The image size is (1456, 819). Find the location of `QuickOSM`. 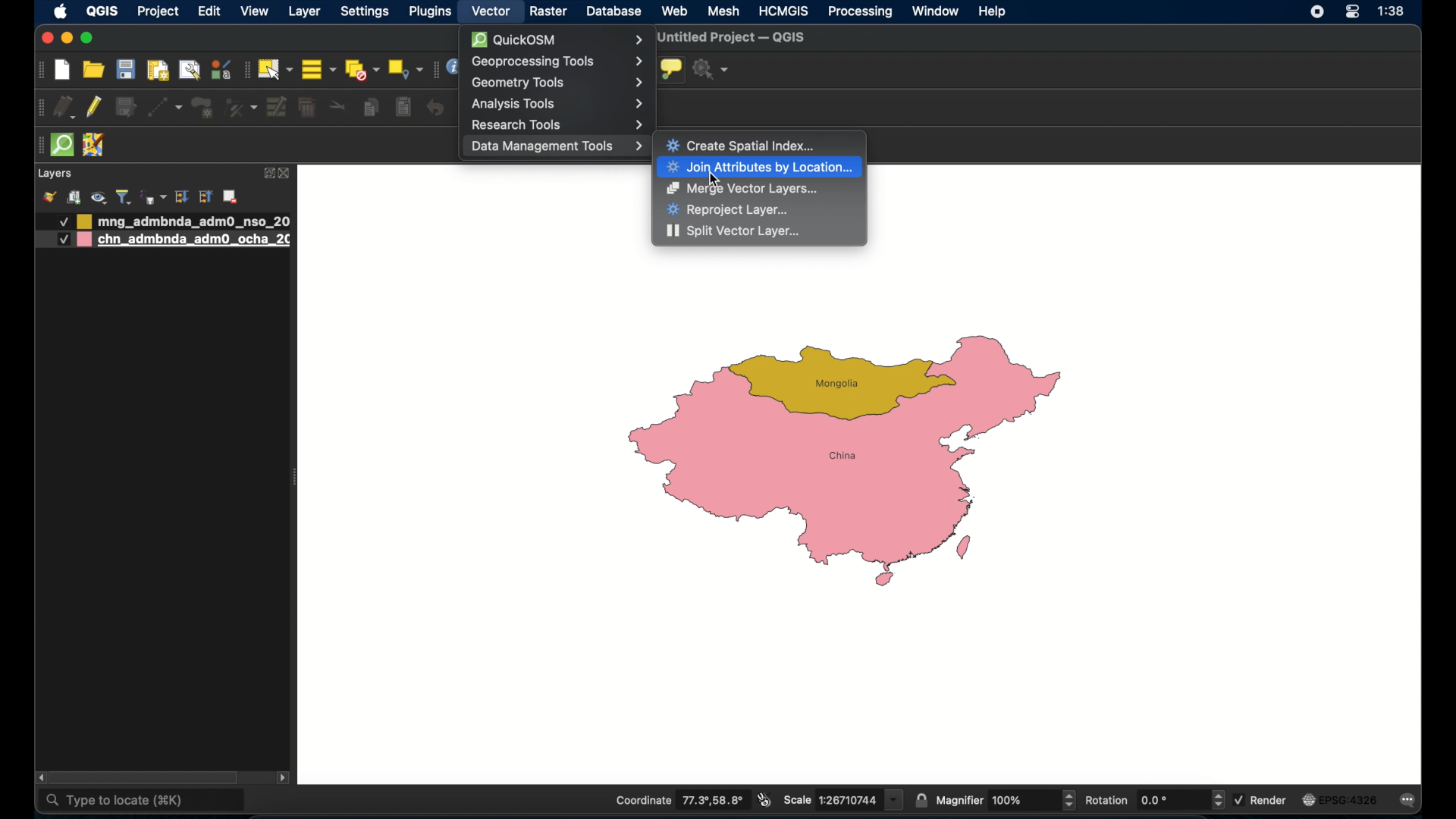

QuickOSM is located at coordinates (555, 38).